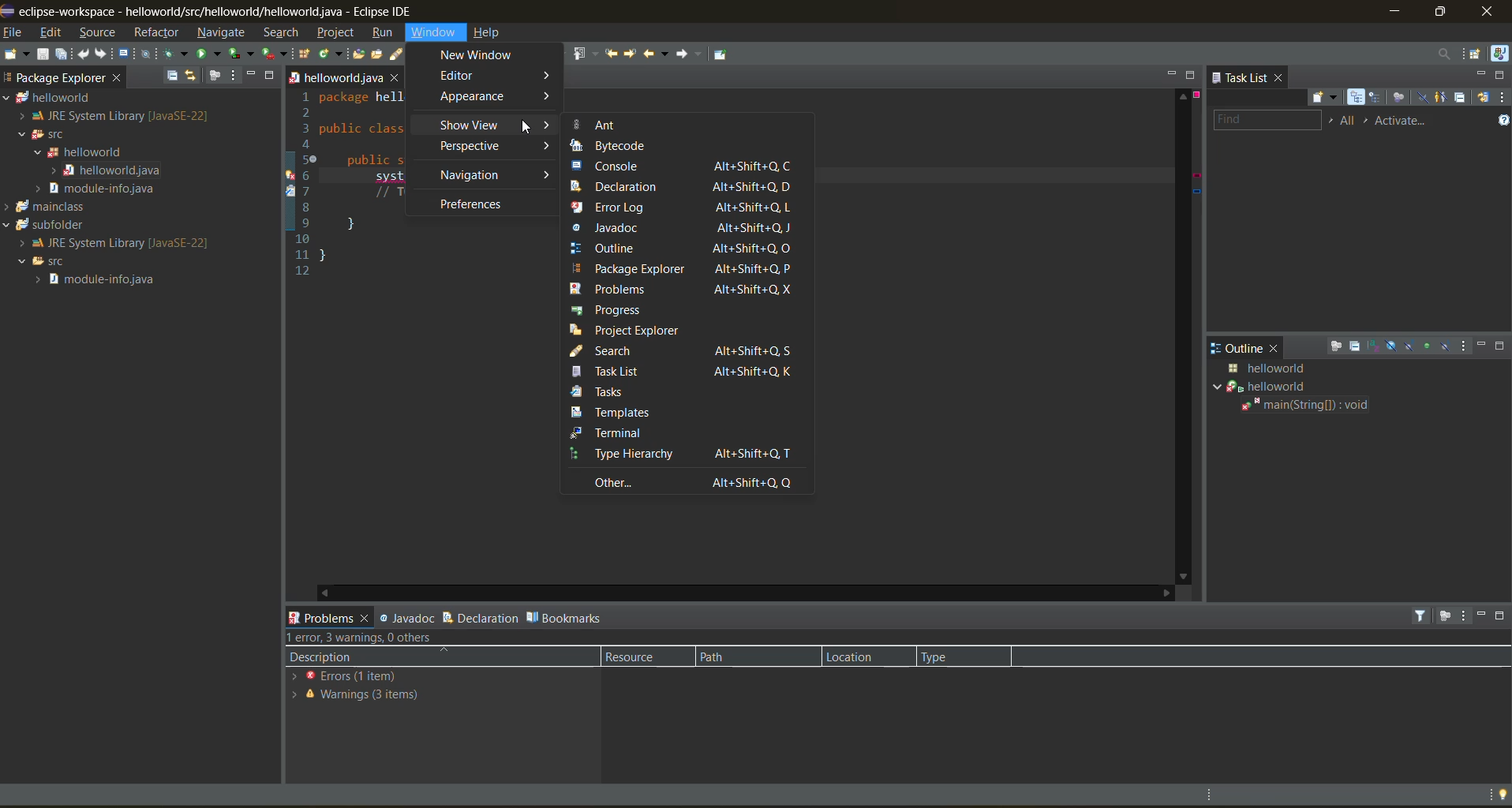  I want to click on helloworld, so click(1300, 386).